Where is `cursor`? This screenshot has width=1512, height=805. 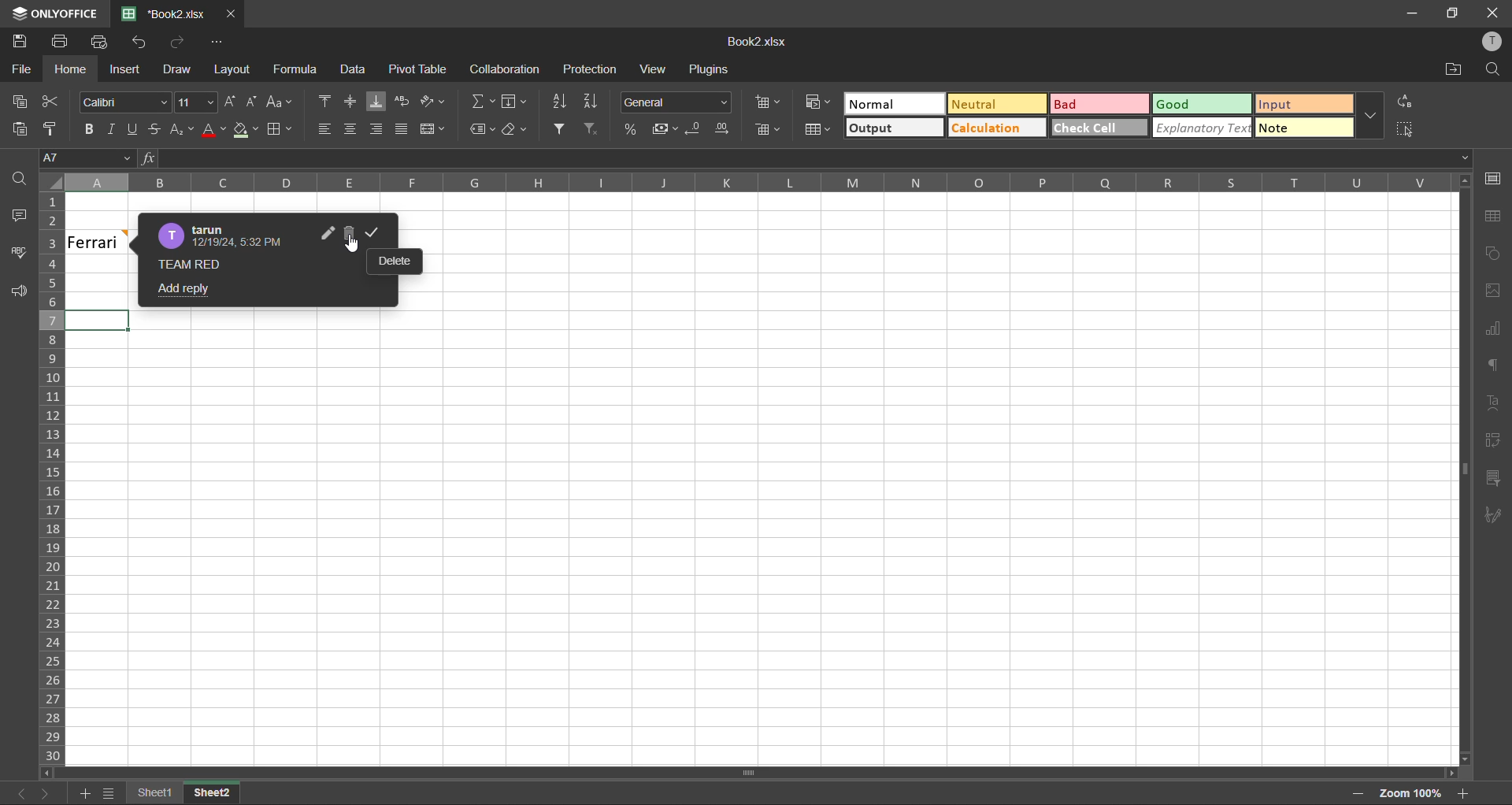 cursor is located at coordinates (354, 246).